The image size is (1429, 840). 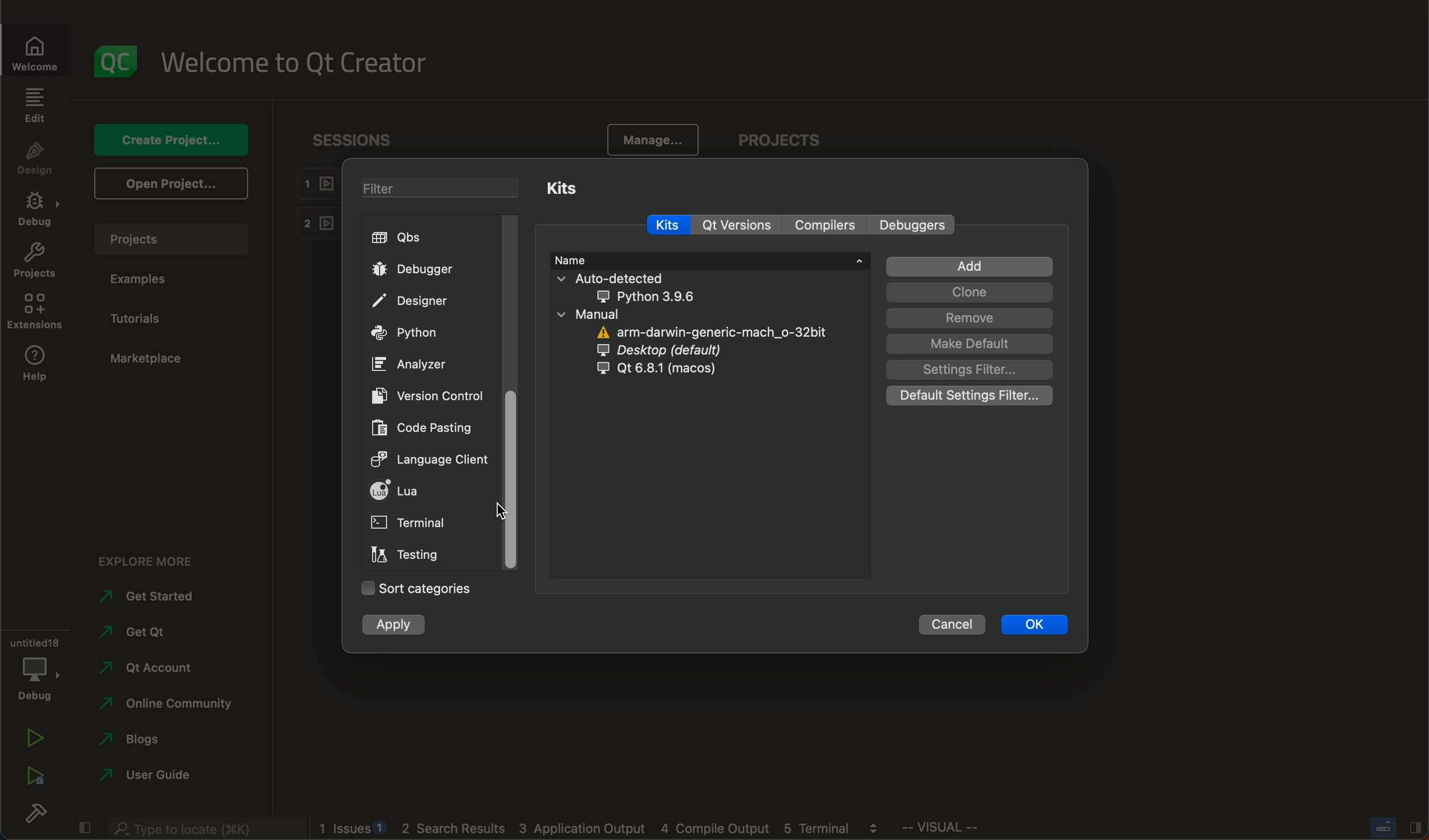 I want to click on sessions, so click(x=346, y=137).